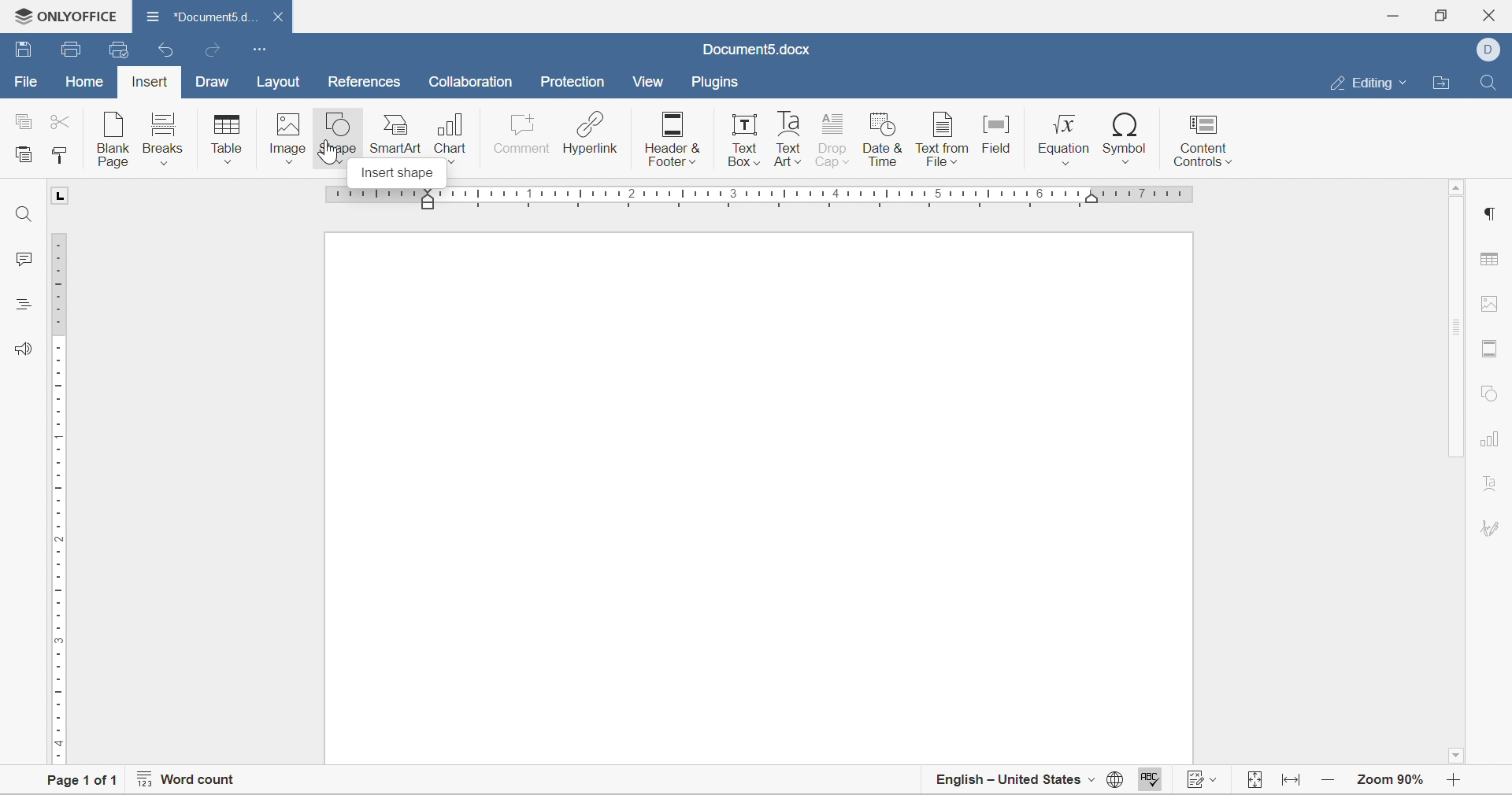 The image size is (1512, 795). Describe the element at coordinates (58, 495) in the screenshot. I see `ruler` at that location.